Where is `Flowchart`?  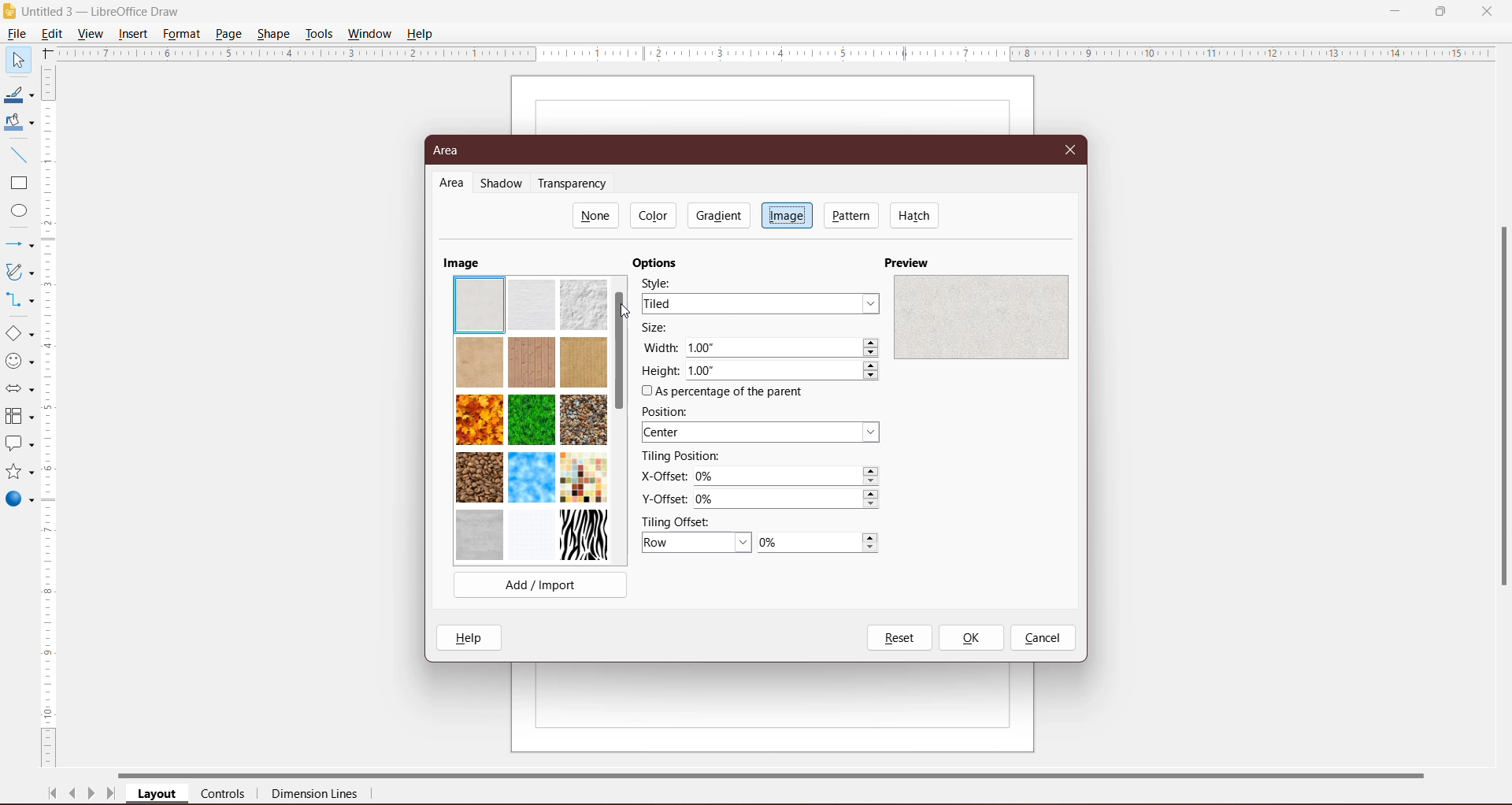
Flowchart is located at coordinates (19, 417).